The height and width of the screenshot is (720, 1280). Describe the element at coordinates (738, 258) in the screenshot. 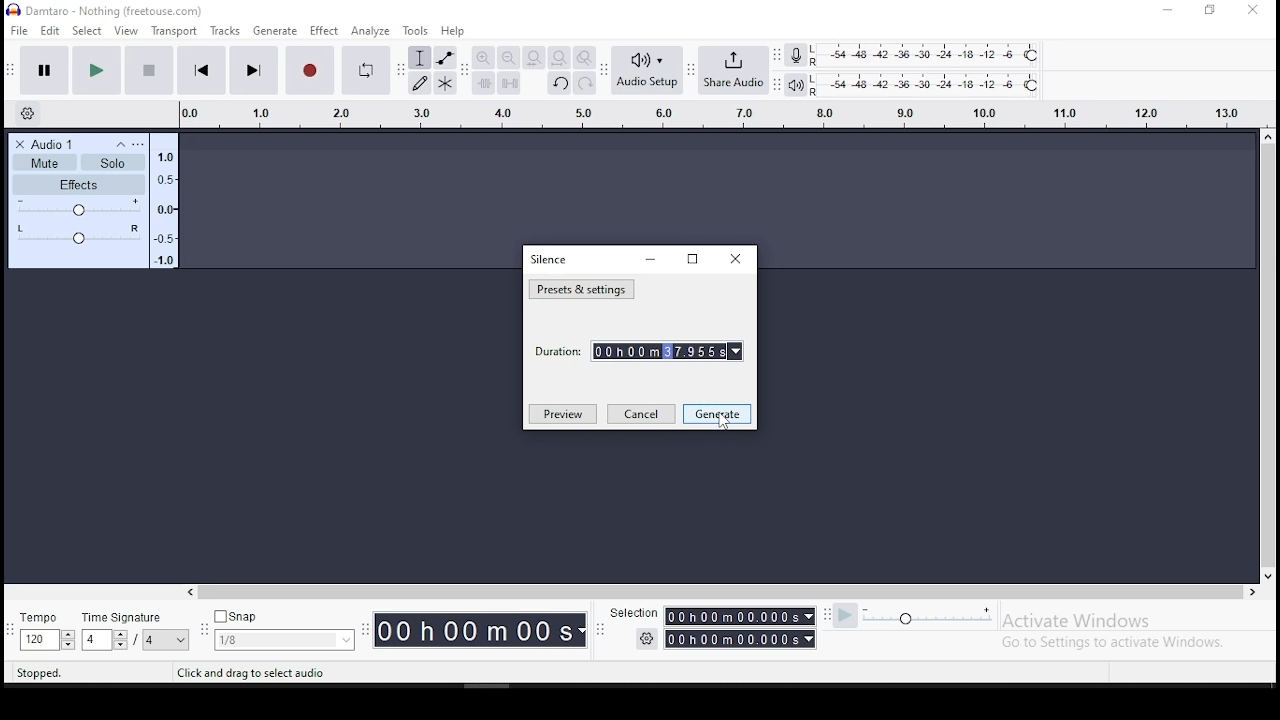

I see `close window` at that location.